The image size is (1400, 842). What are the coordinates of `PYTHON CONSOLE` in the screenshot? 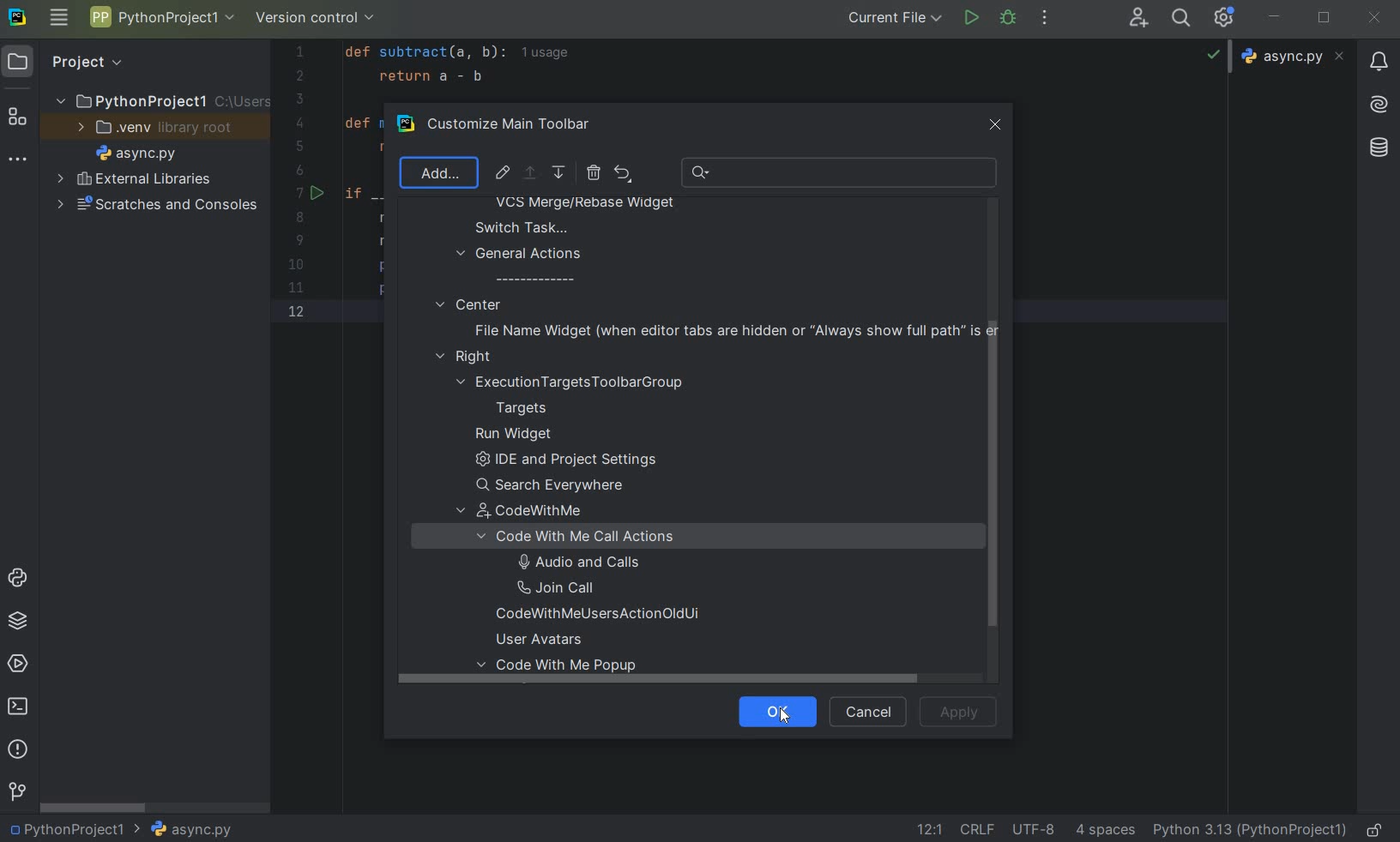 It's located at (20, 581).